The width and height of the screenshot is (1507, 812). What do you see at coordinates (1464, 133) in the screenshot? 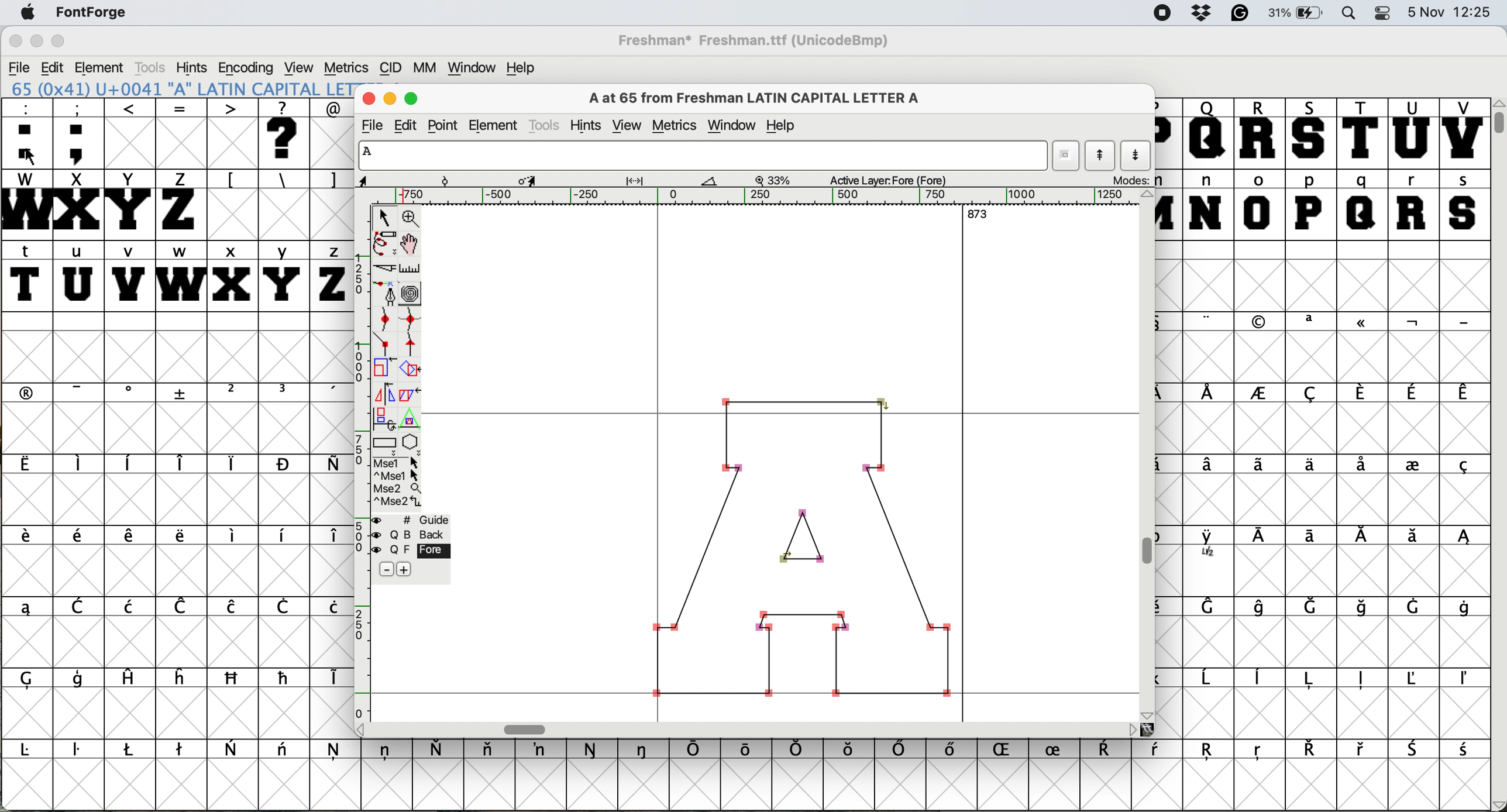
I see `V` at bounding box center [1464, 133].